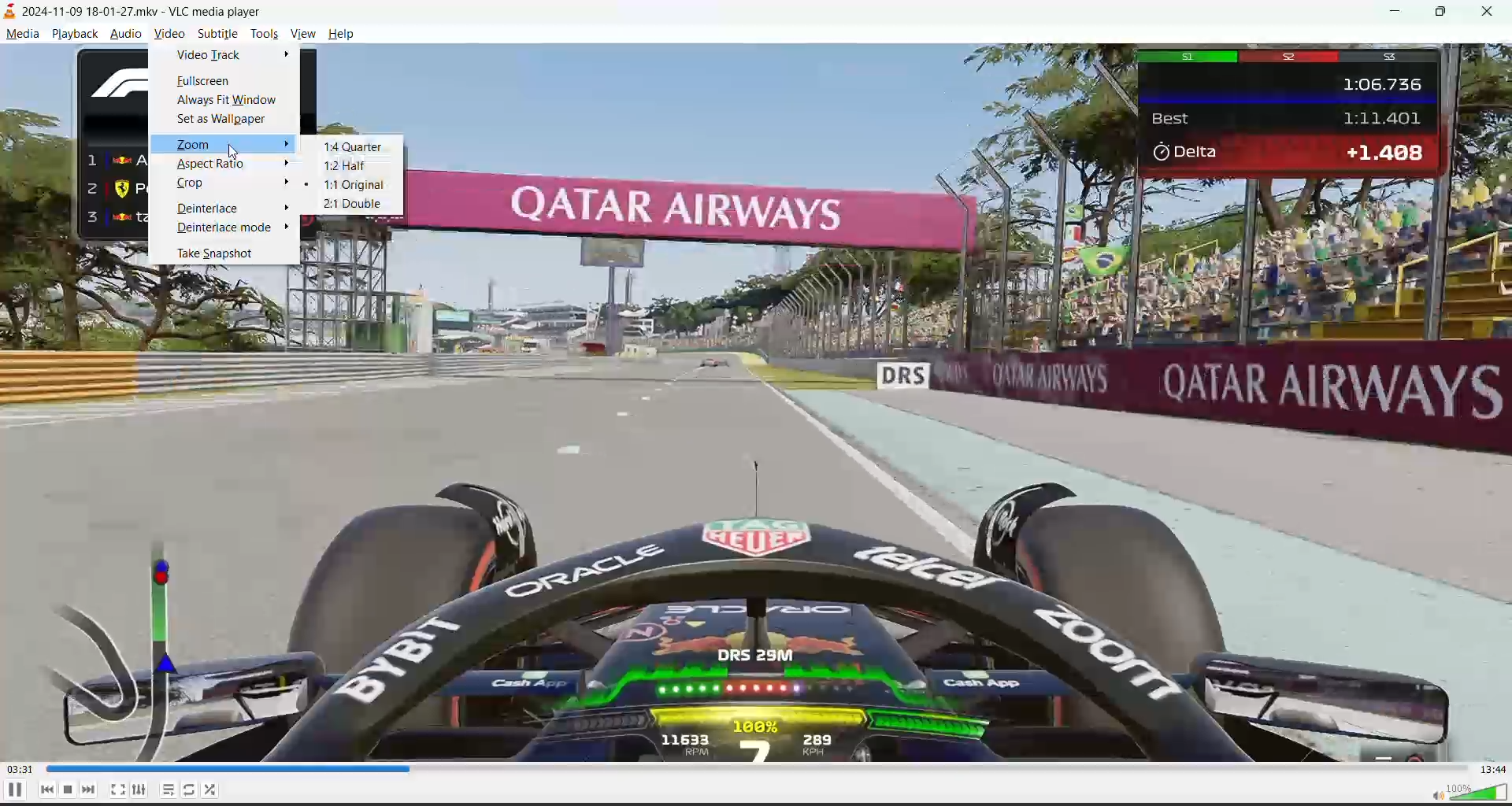 Image resolution: width=1512 pixels, height=806 pixels. Describe the element at coordinates (76, 33) in the screenshot. I see `playback` at that location.